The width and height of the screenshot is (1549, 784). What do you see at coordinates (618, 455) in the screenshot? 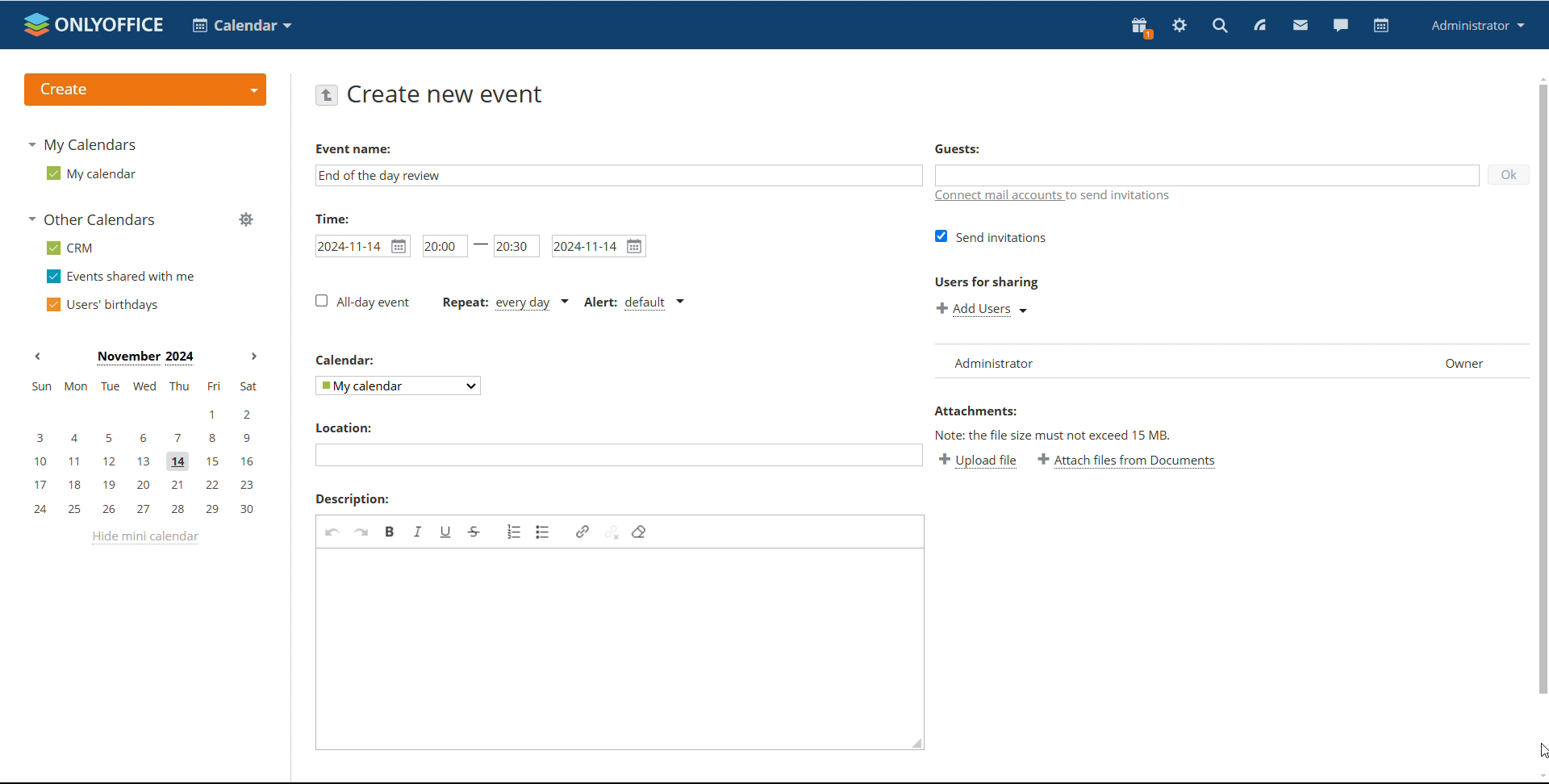
I see `add location` at bounding box center [618, 455].